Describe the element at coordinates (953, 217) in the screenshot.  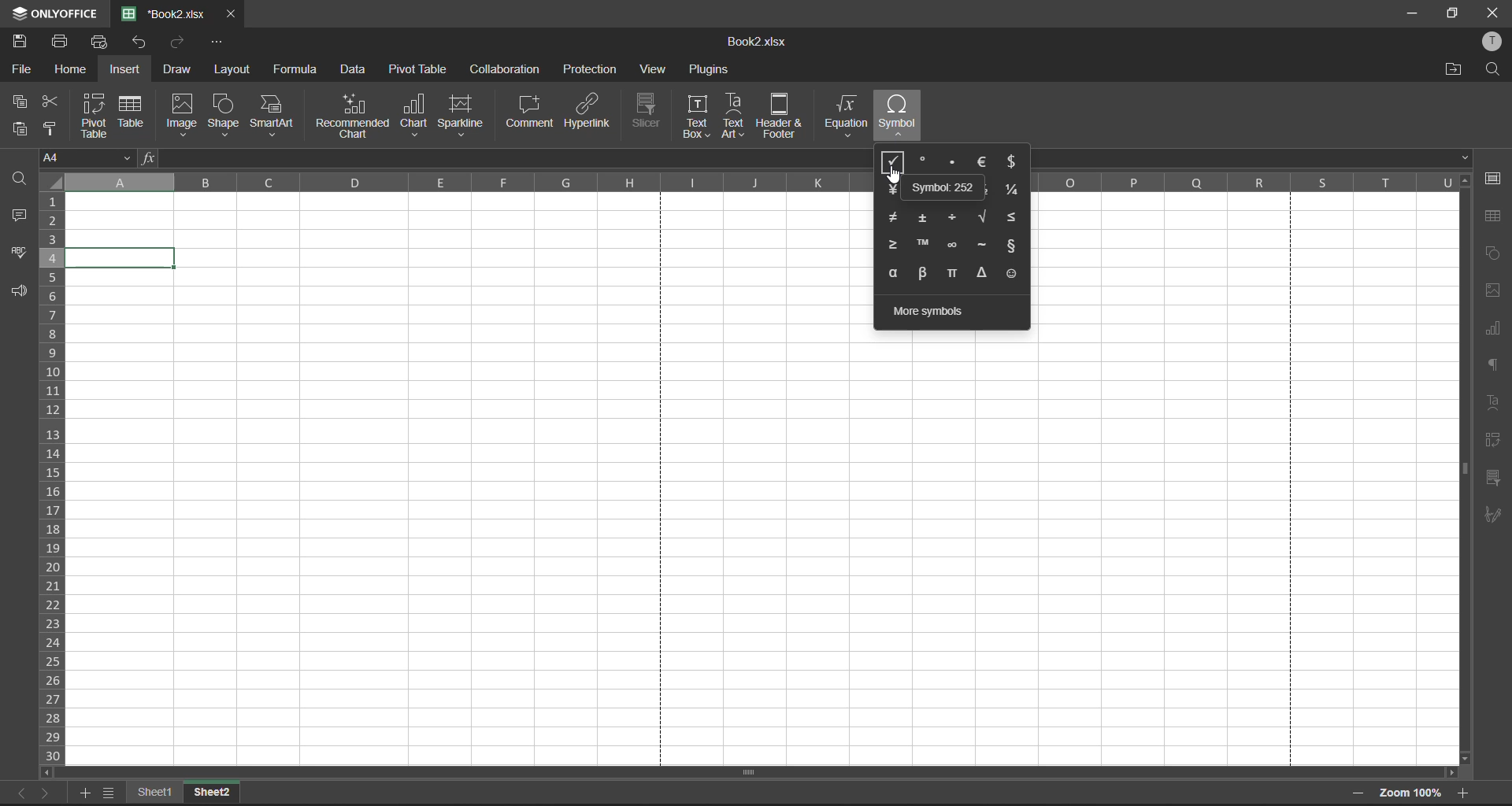
I see `division sign` at that location.